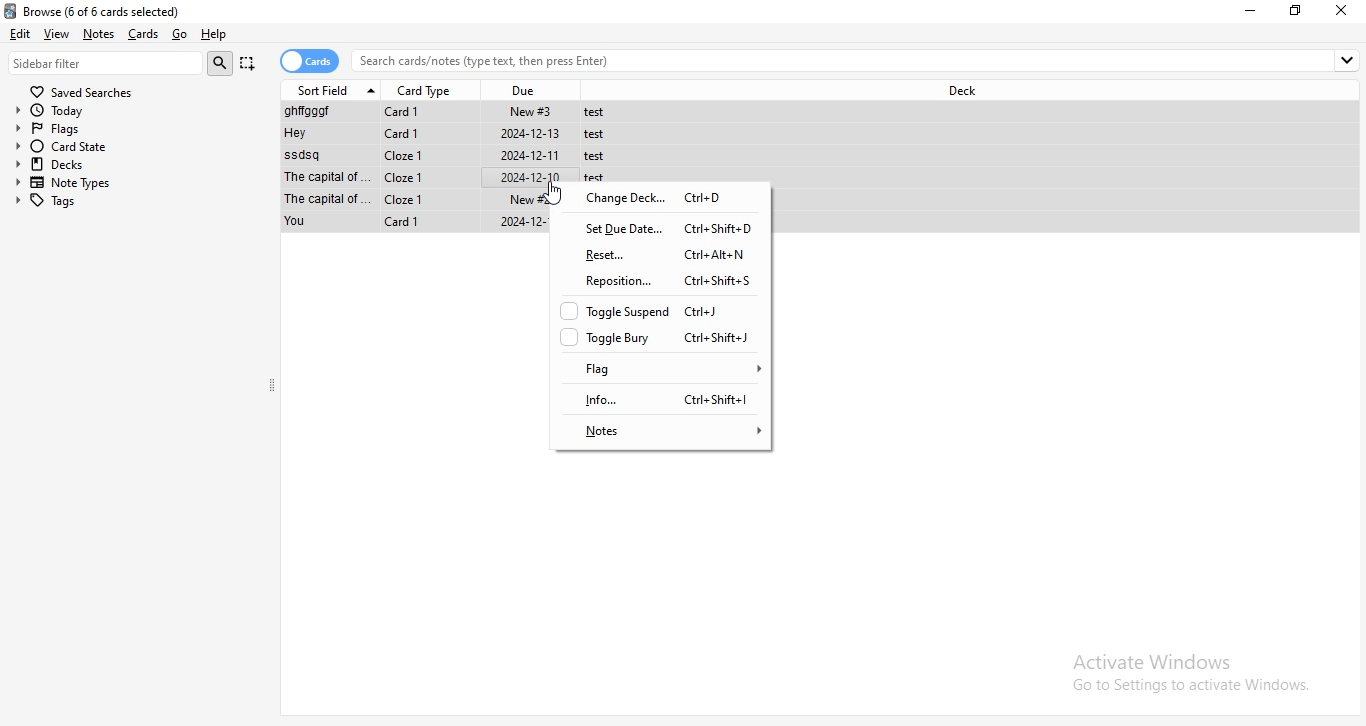  Describe the element at coordinates (220, 63) in the screenshot. I see `search` at that location.